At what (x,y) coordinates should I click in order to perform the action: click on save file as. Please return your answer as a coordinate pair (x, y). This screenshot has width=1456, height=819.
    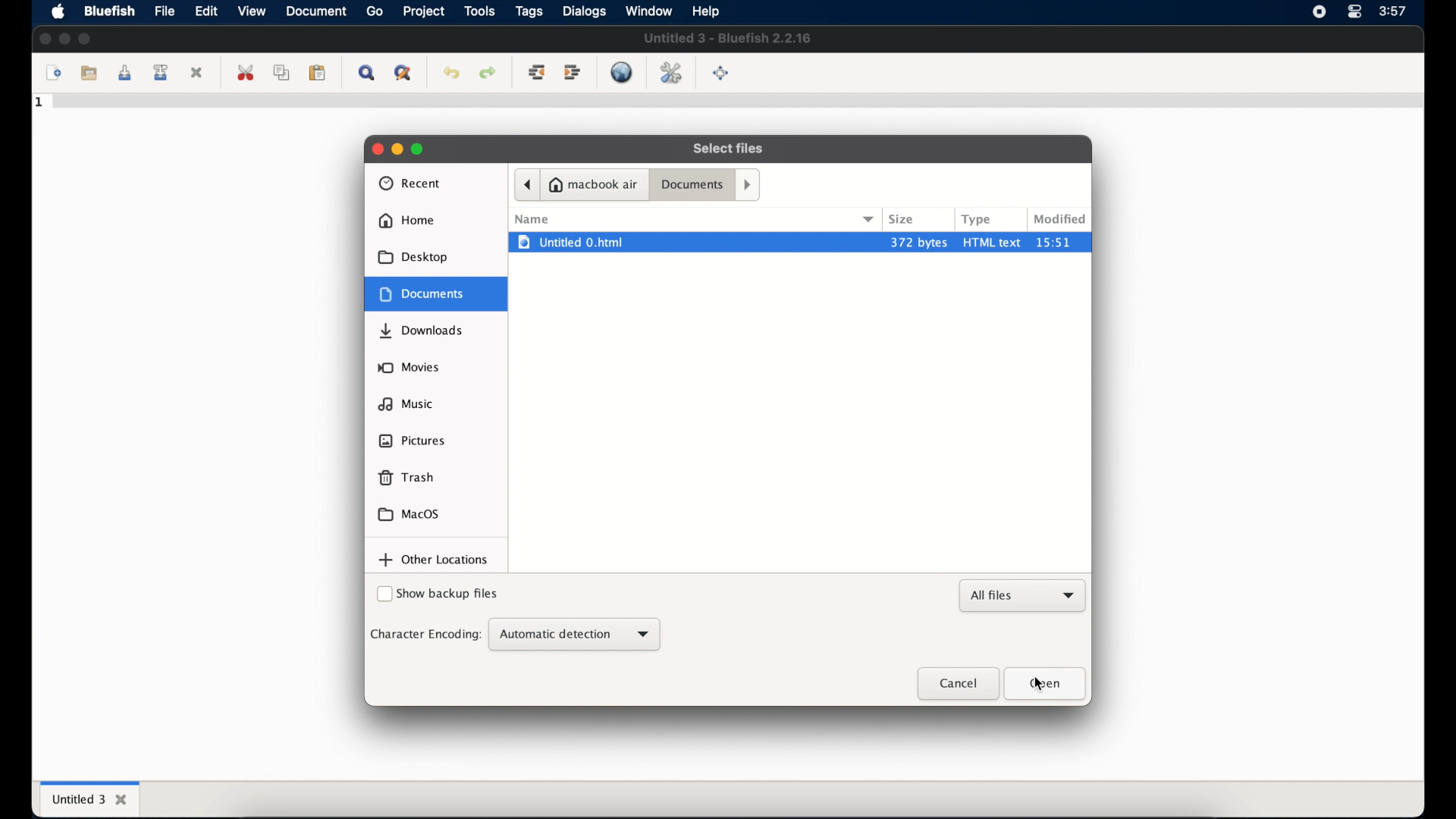
    Looking at the image, I should click on (163, 73).